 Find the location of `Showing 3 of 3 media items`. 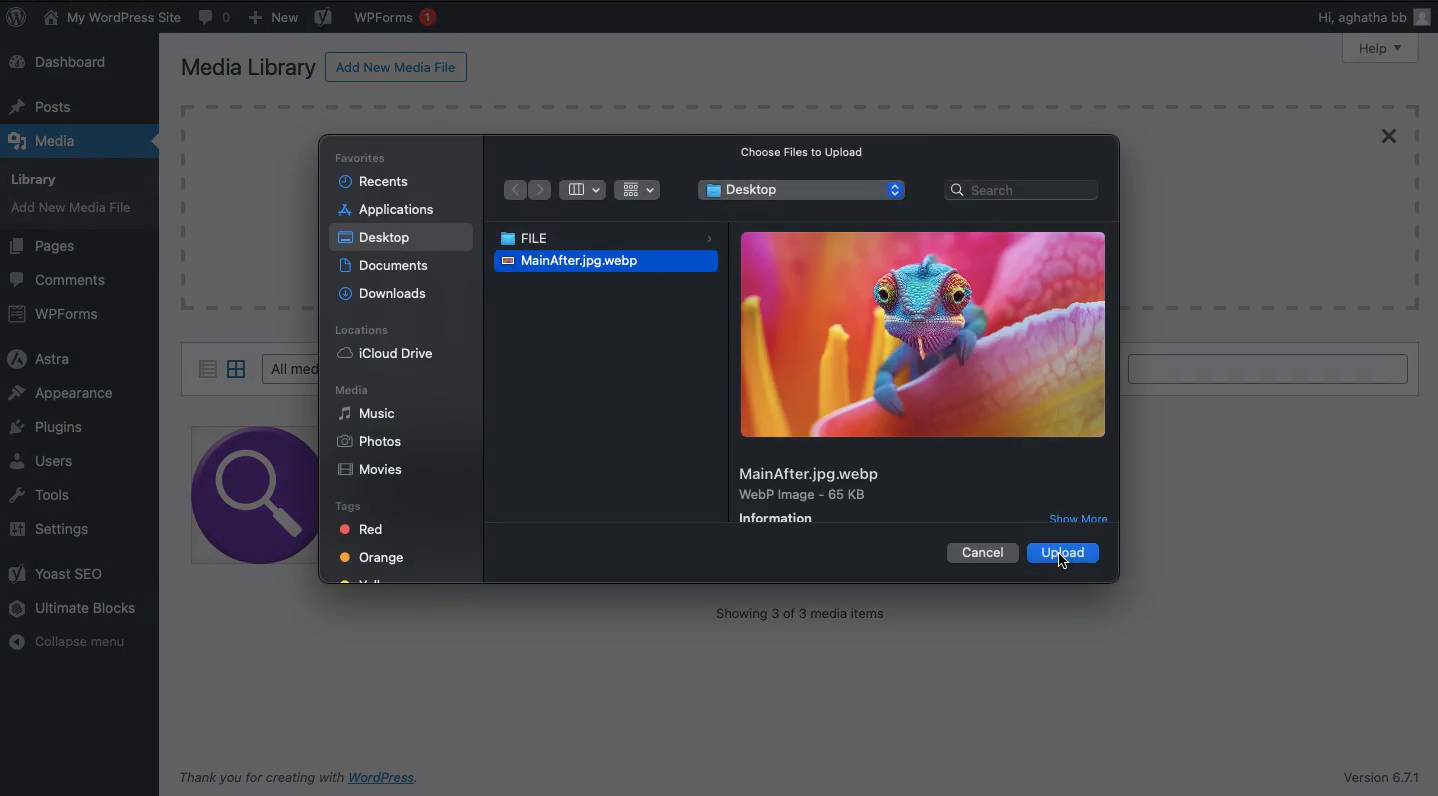

Showing 3 of 3 media items is located at coordinates (800, 614).